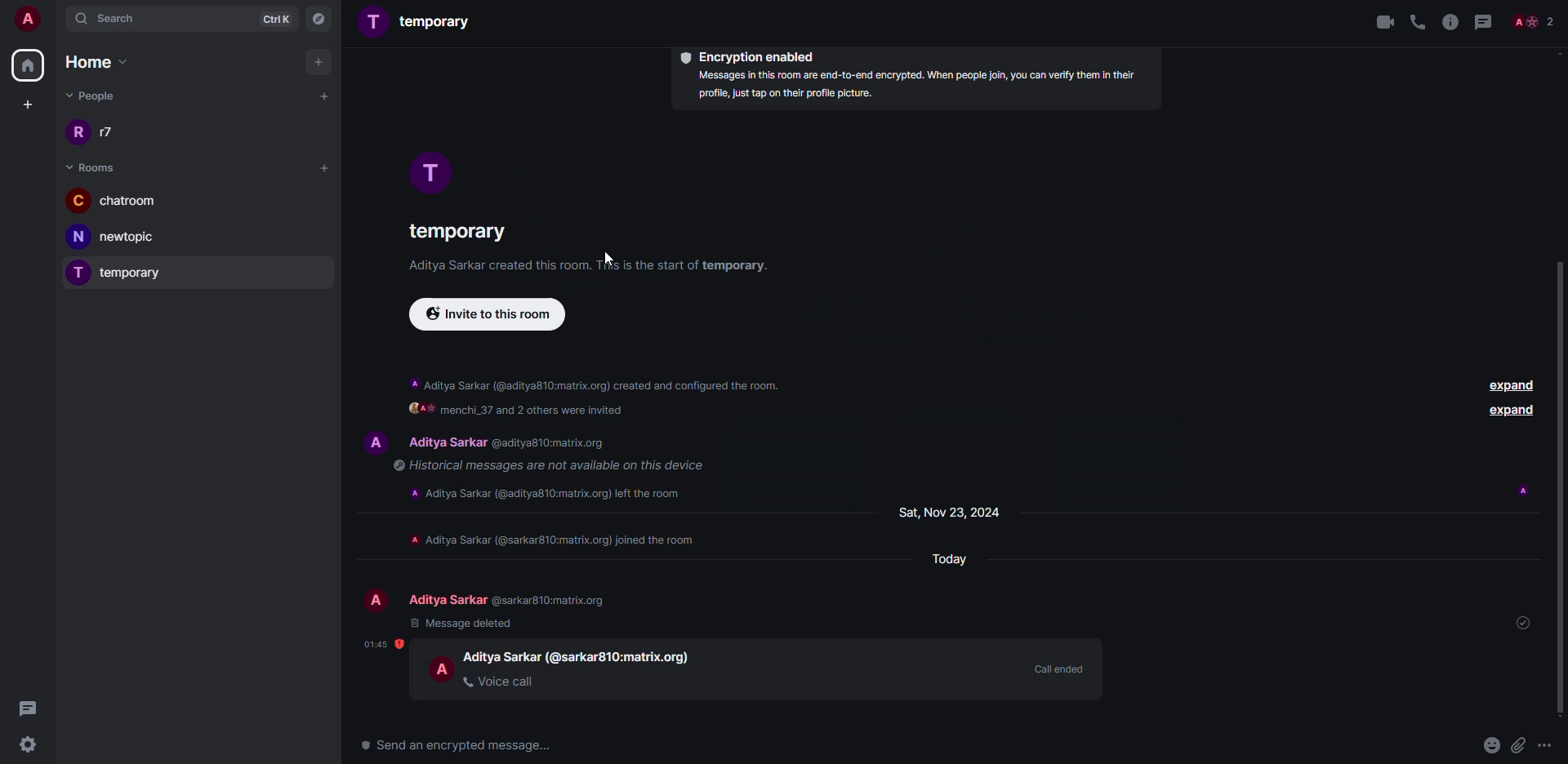 This screenshot has width=1568, height=764. I want to click on profile, so click(442, 668).